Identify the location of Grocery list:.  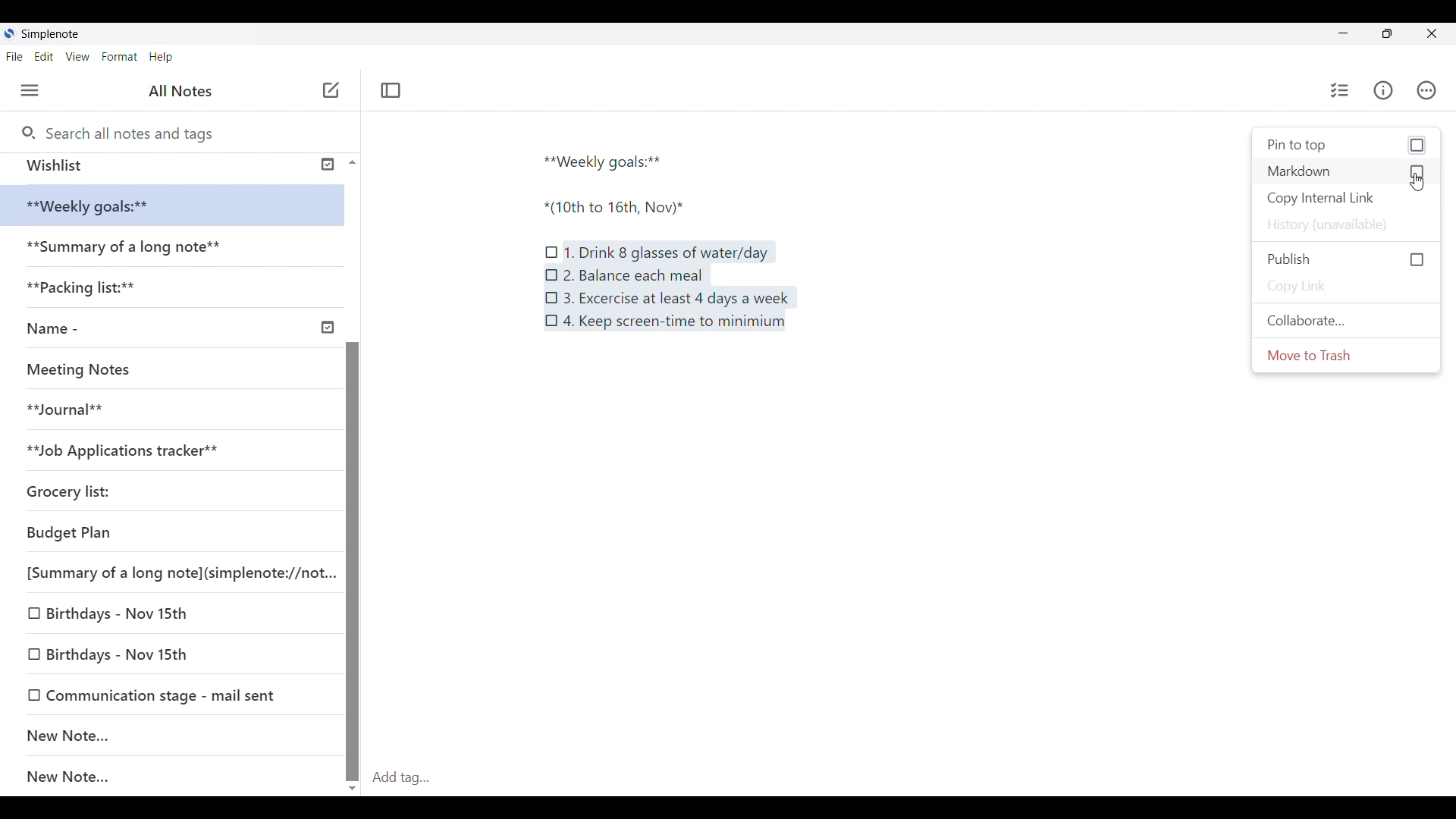
(92, 487).